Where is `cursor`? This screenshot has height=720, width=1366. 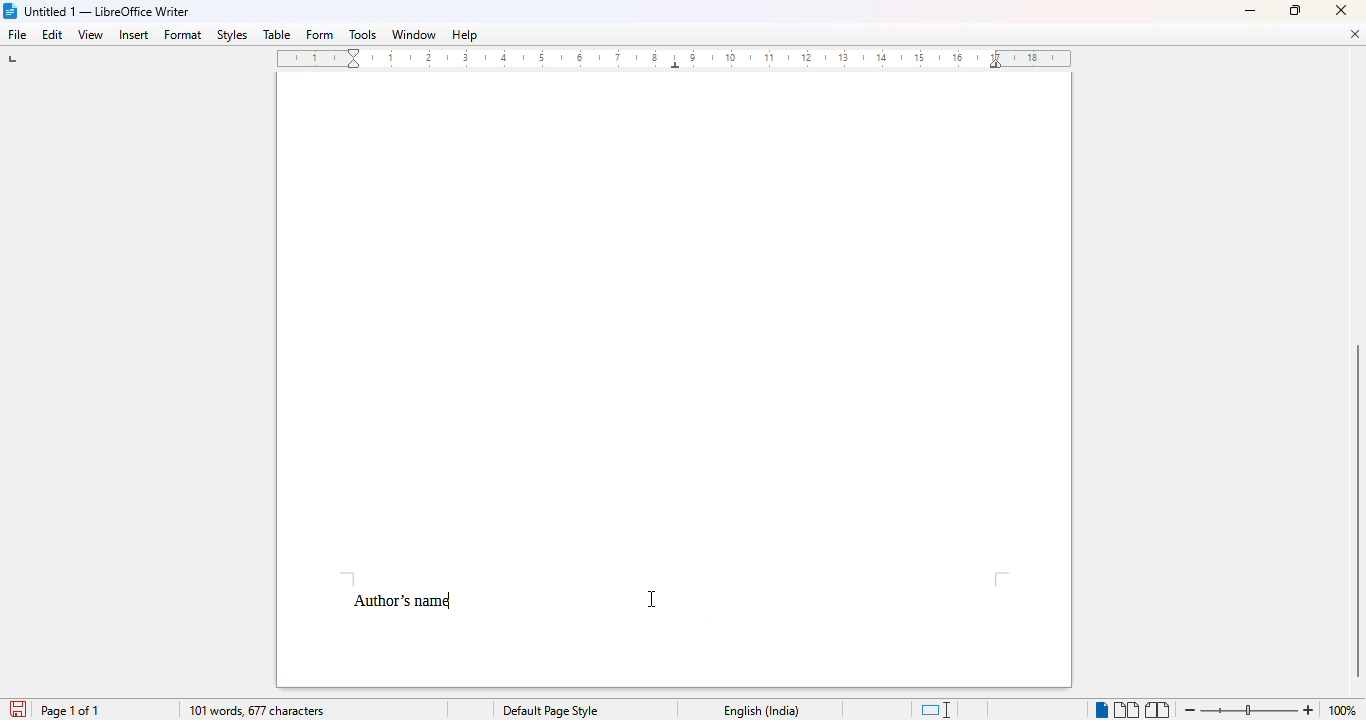 cursor is located at coordinates (652, 599).